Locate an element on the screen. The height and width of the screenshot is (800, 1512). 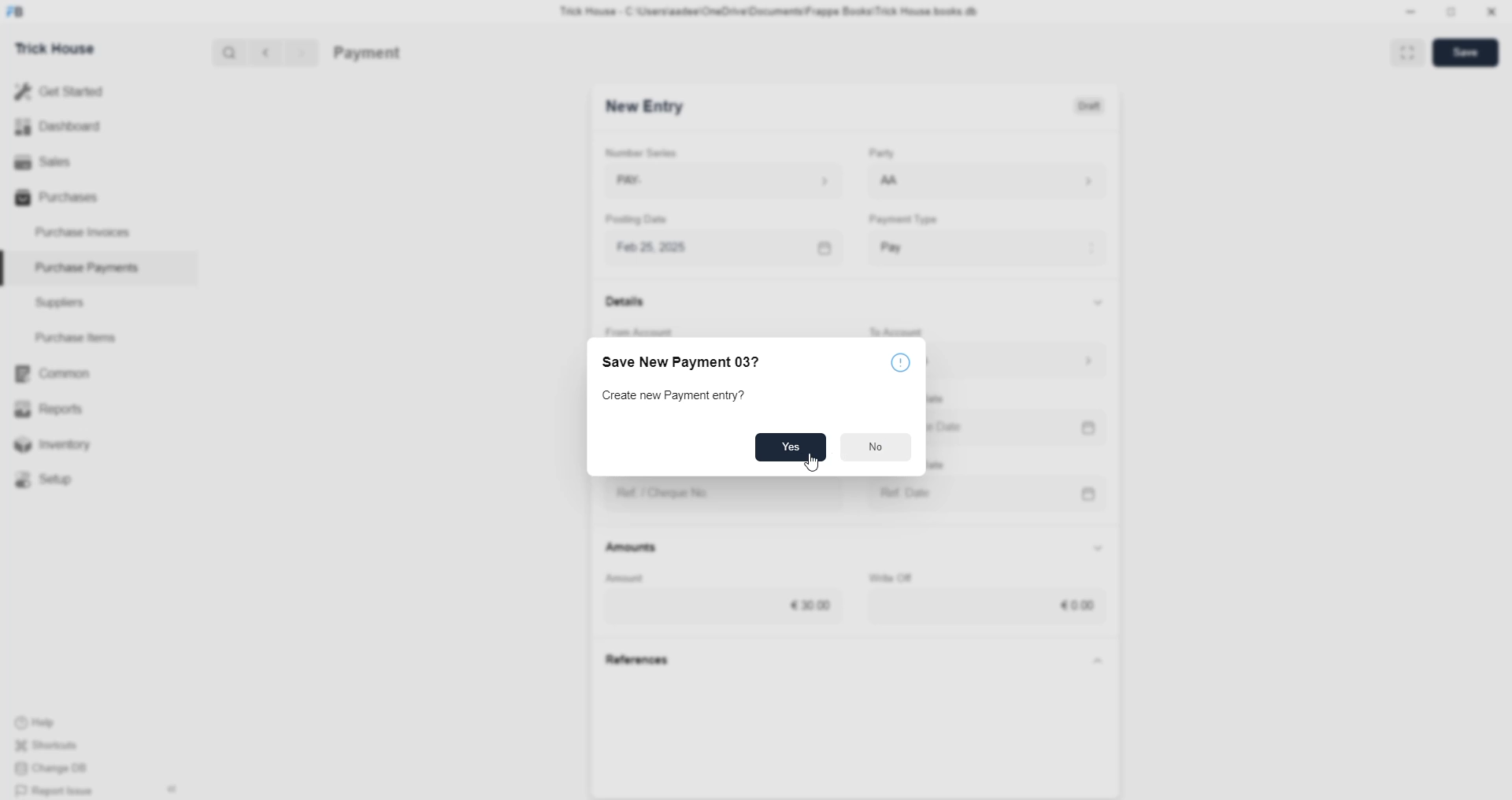
 Help is located at coordinates (59, 720).